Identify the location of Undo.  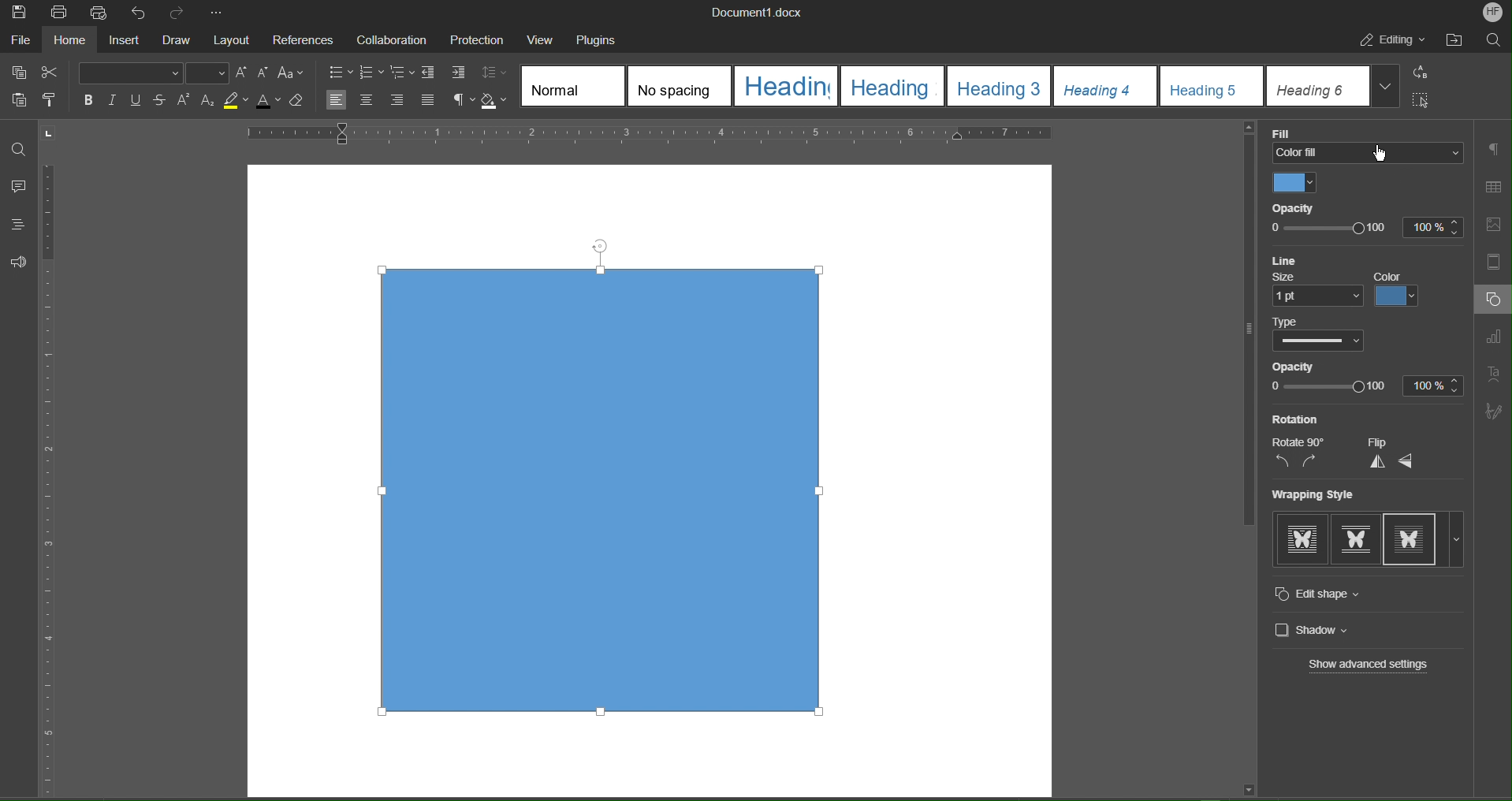
(140, 13).